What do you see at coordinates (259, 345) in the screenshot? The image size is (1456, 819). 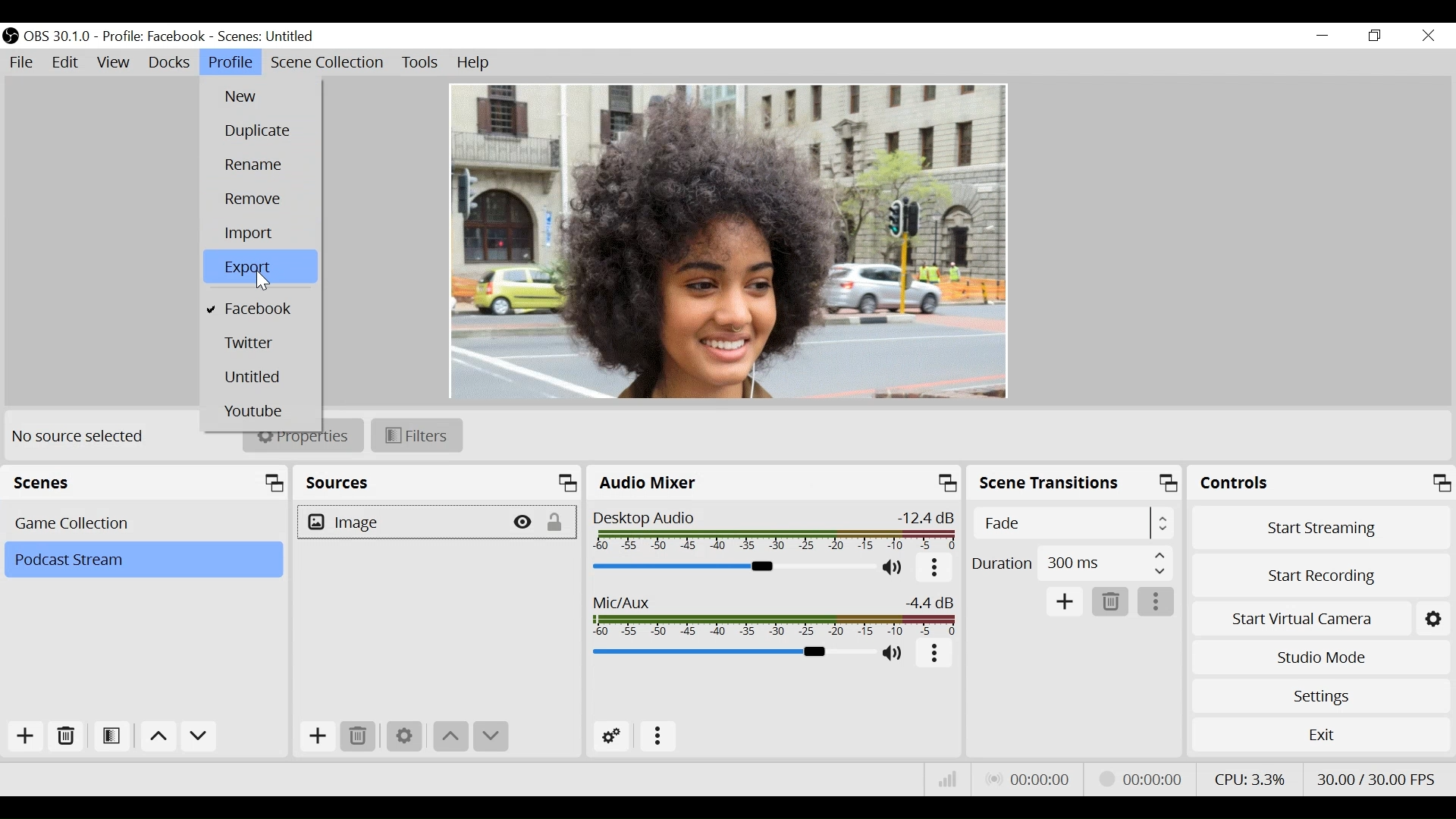 I see `Twitter` at bounding box center [259, 345].